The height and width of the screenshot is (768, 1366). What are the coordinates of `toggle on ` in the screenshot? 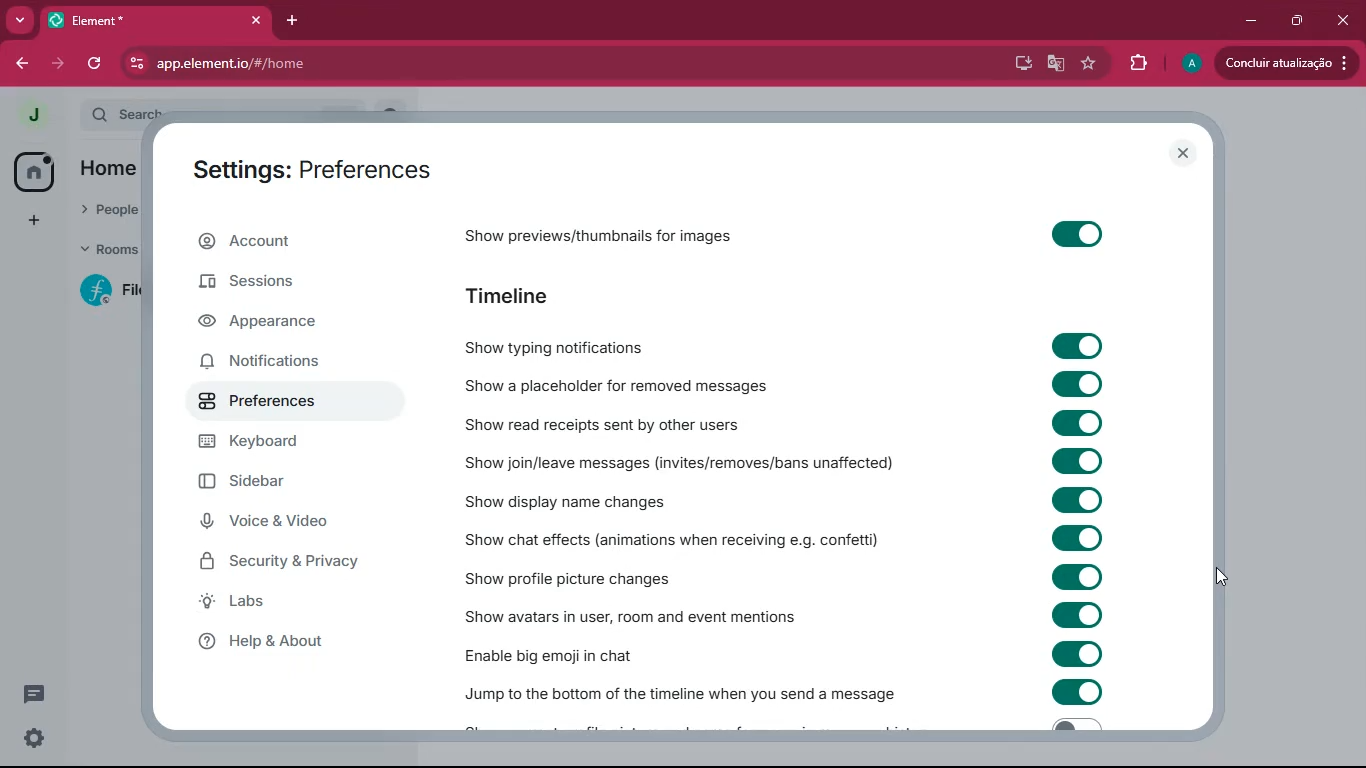 It's located at (1076, 422).